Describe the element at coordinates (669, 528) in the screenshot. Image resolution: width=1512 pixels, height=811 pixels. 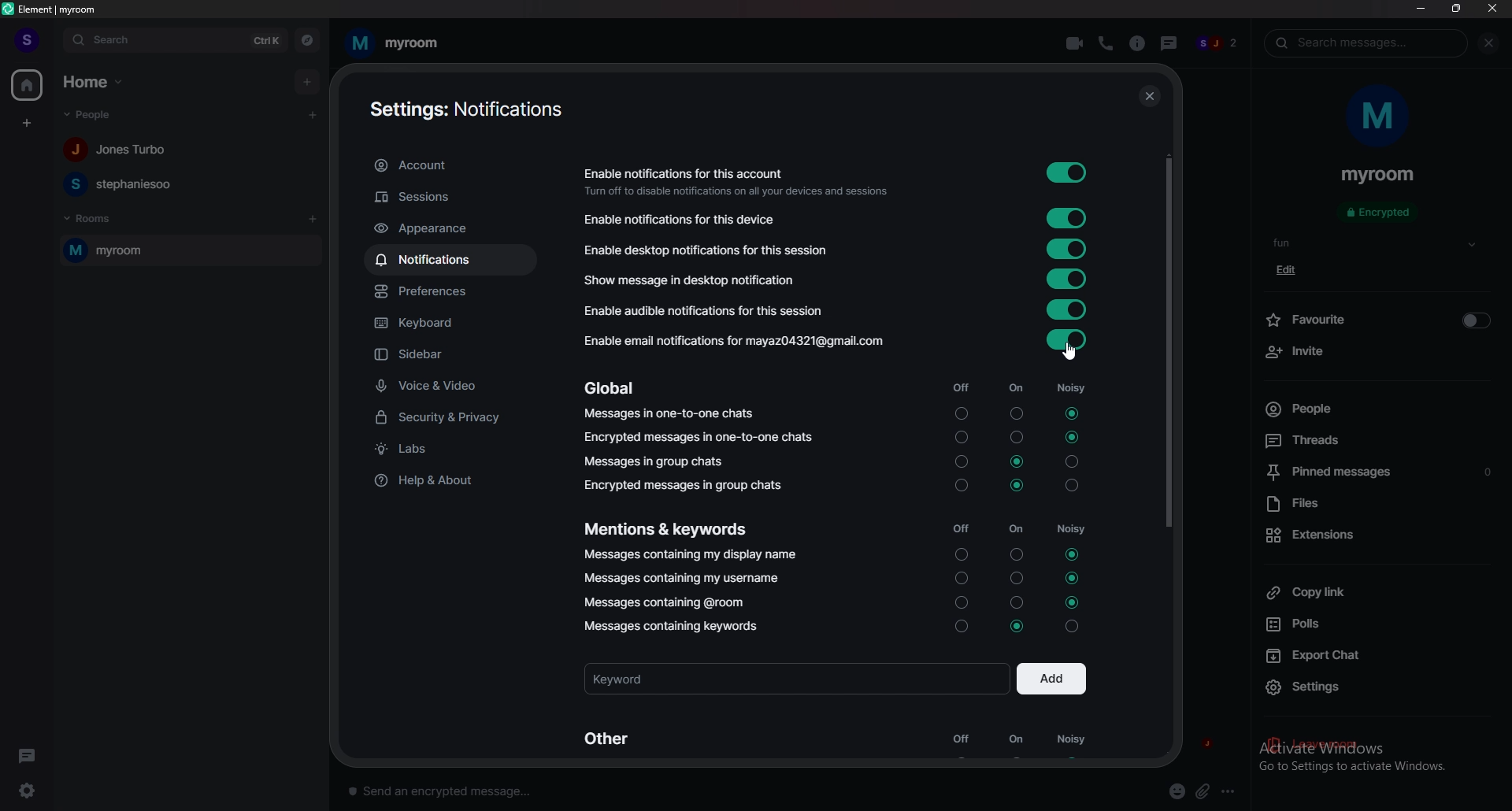
I see `mentions and keywords` at that location.